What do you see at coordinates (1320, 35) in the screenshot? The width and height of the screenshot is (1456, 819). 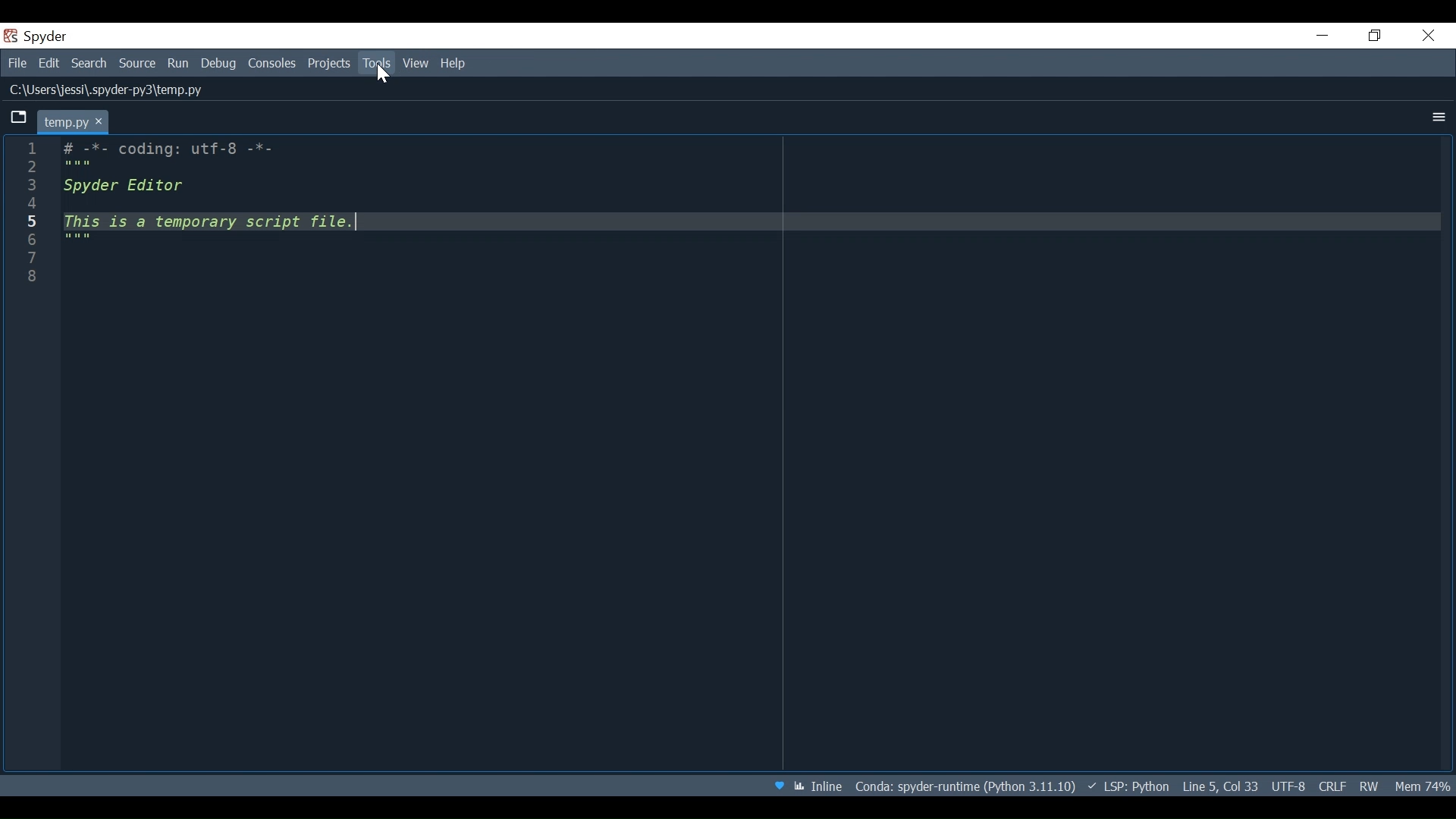 I see `Minimize` at bounding box center [1320, 35].